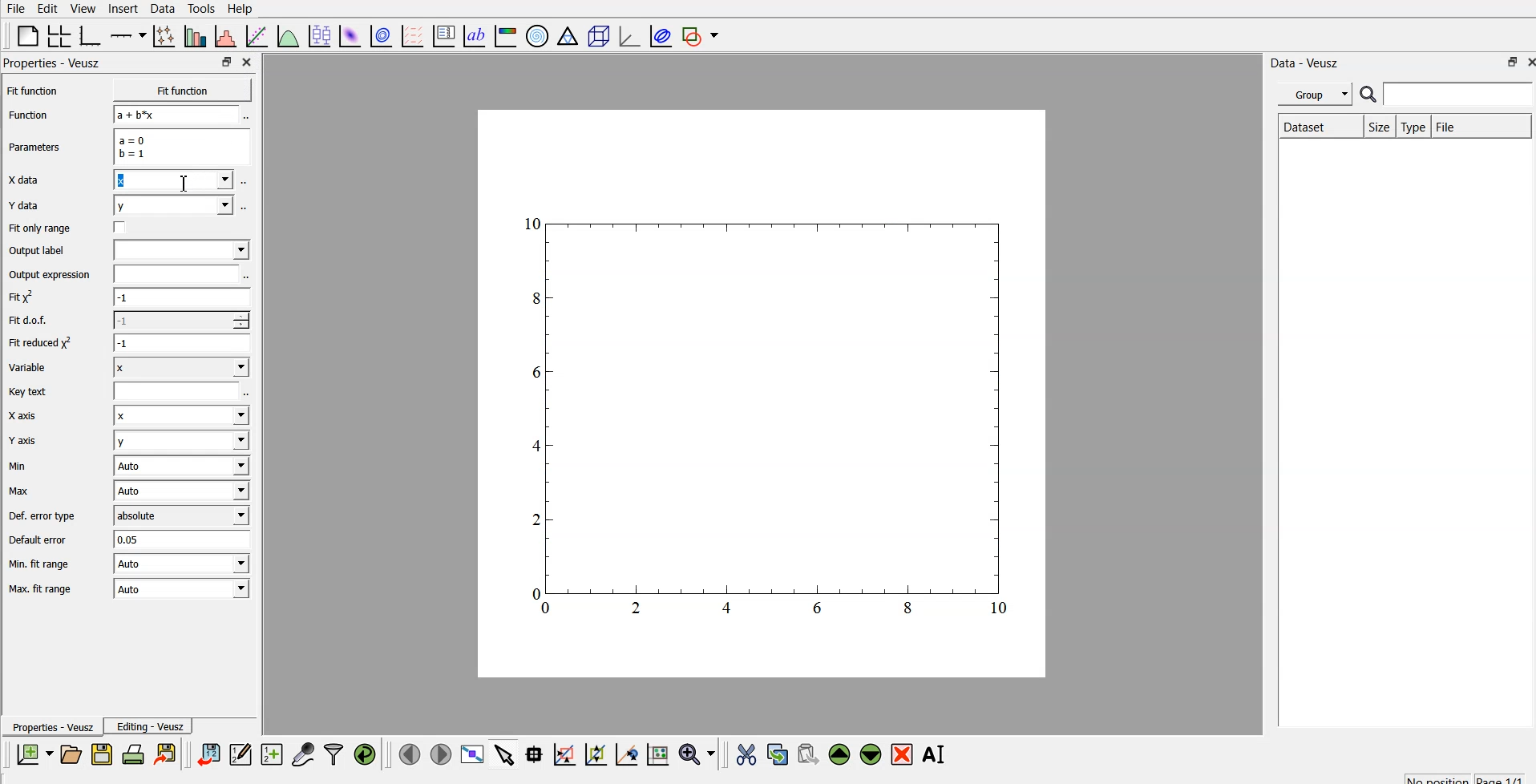 This screenshot has height=784, width=1536. What do you see at coordinates (380, 37) in the screenshot?
I see `plot 2d data set as contours` at bounding box center [380, 37].